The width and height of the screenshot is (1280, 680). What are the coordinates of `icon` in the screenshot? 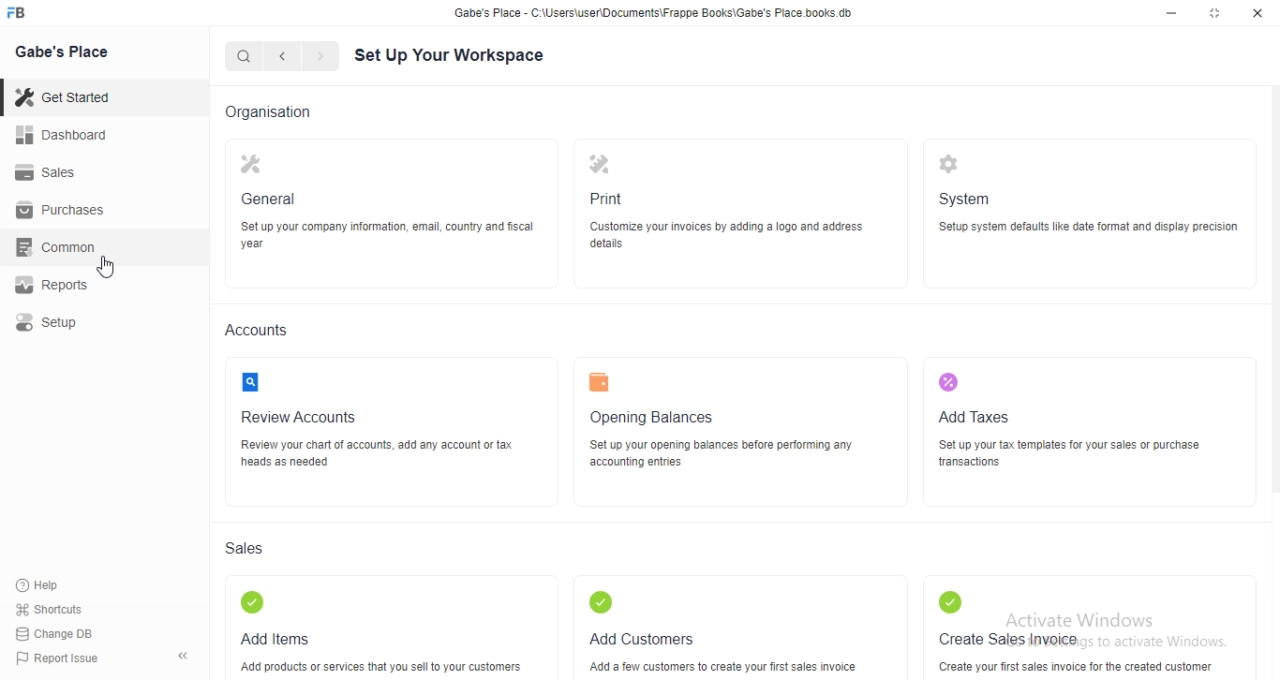 It's located at (247, 381).